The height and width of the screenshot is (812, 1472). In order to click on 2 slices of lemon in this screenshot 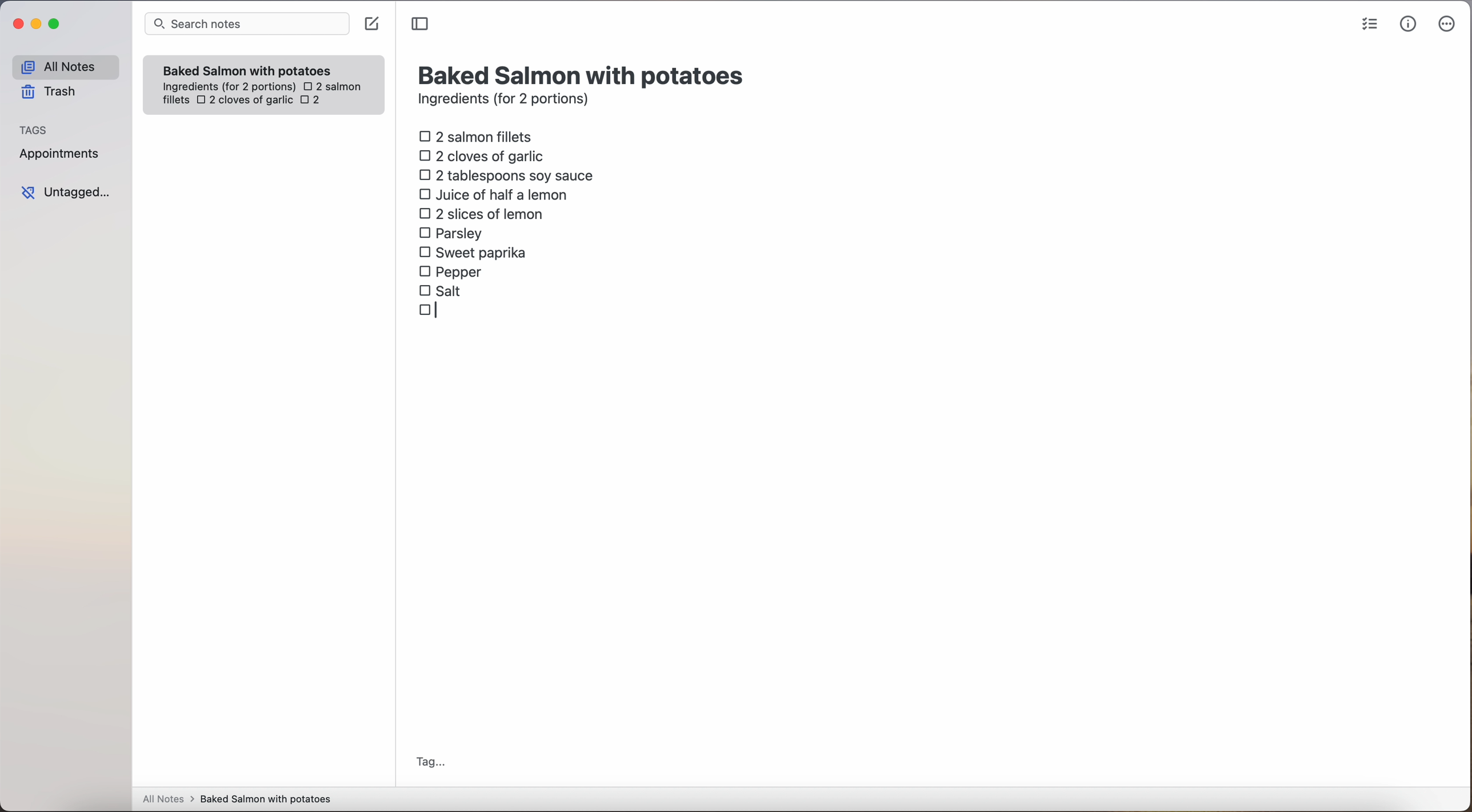, I will do `click(482, 214)`.